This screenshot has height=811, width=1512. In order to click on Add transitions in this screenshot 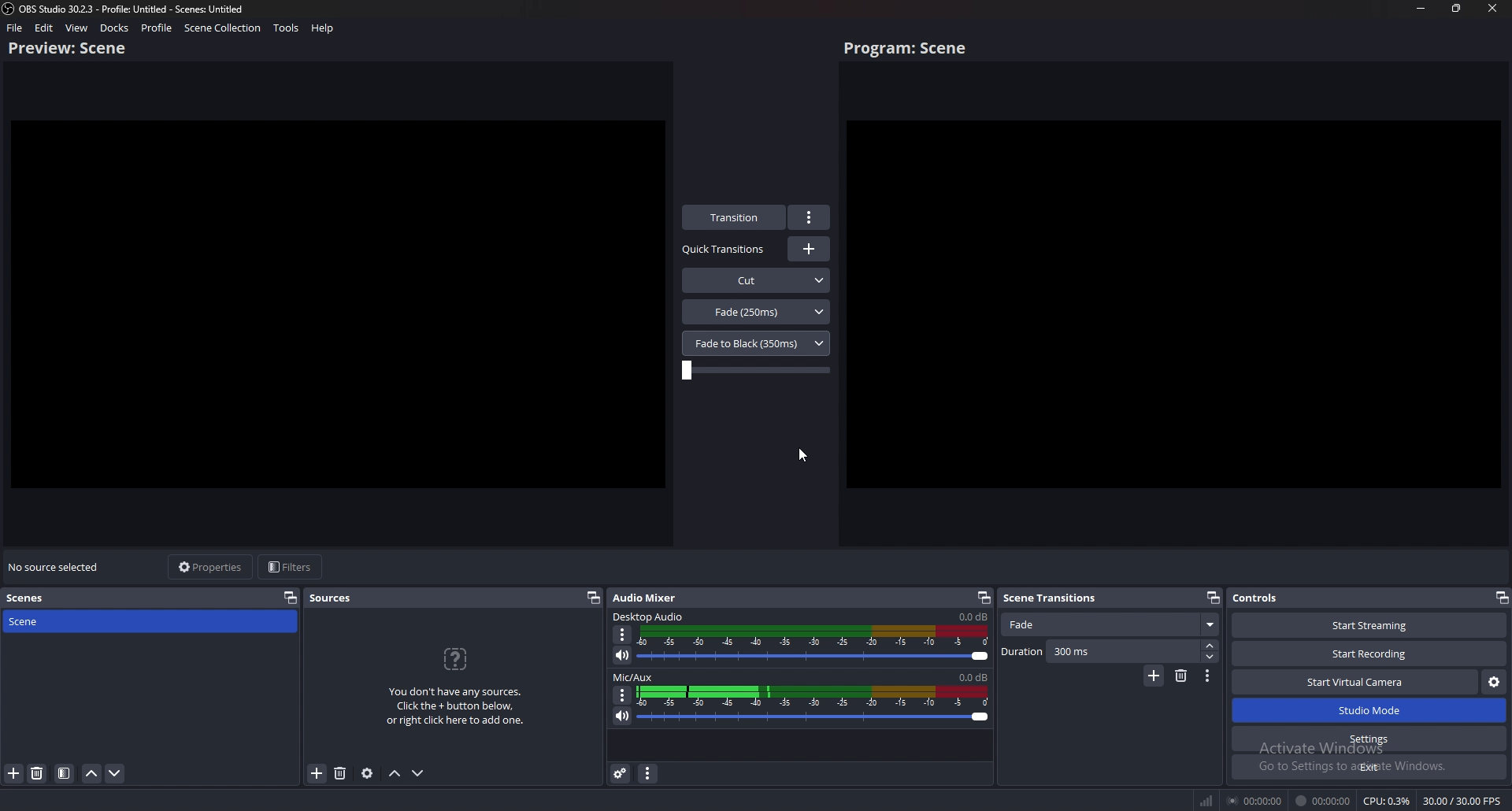, I will do `click(809, 249)`.